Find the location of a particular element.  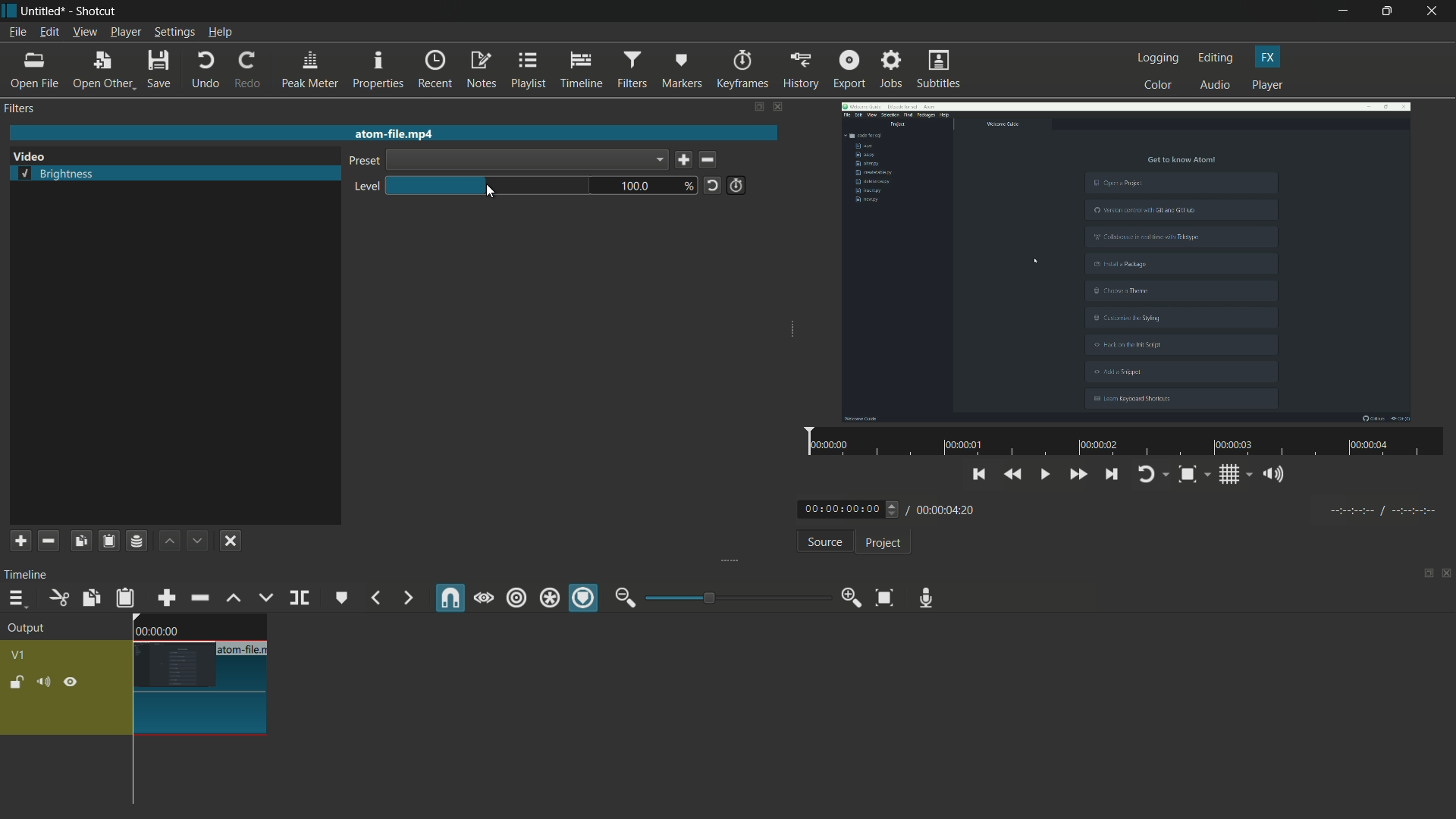

show the volume control is located at coordinates (1278, 475).